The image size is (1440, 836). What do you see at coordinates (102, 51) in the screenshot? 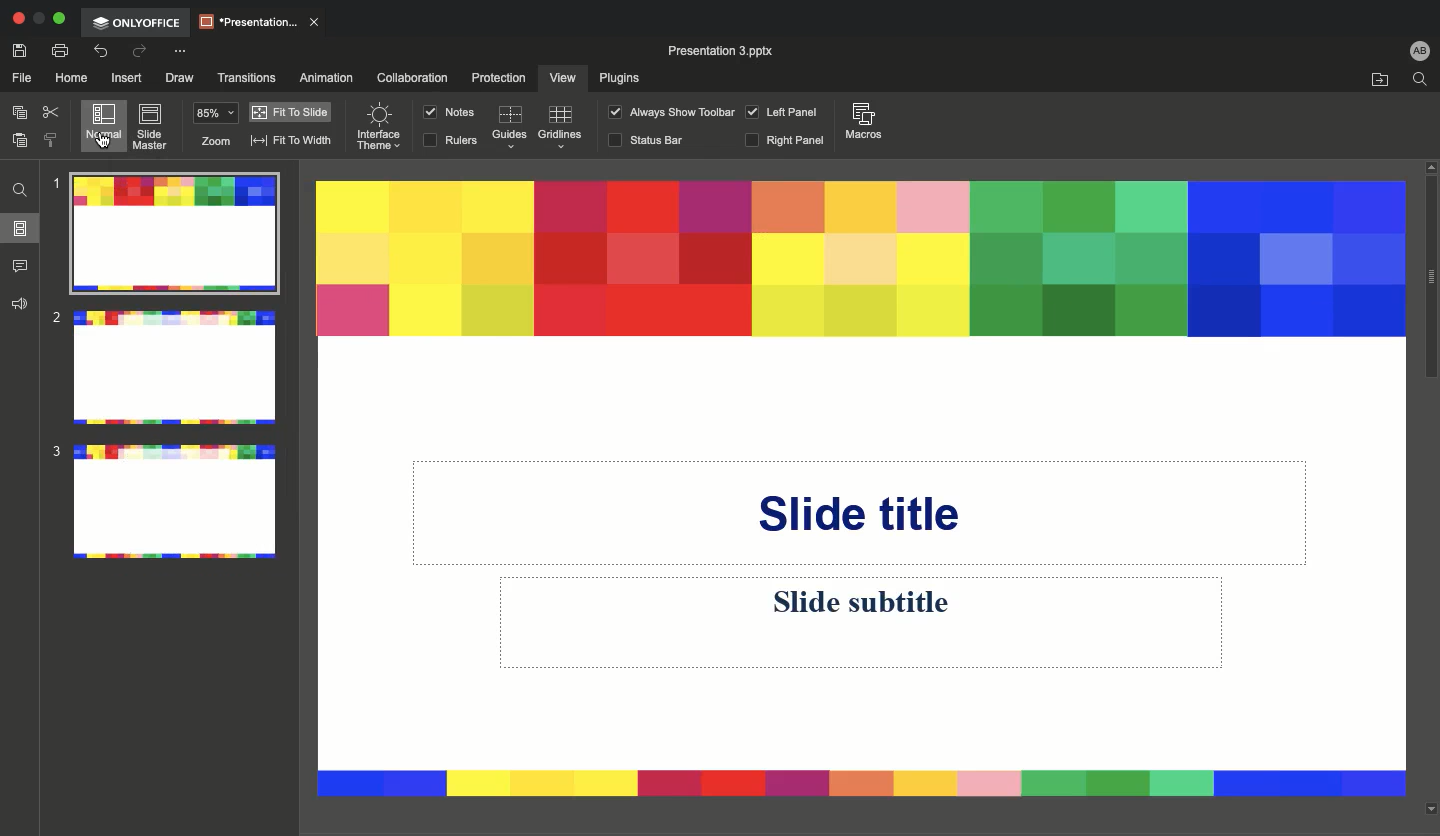
I see `Undo` at bounding box center [102, 51].